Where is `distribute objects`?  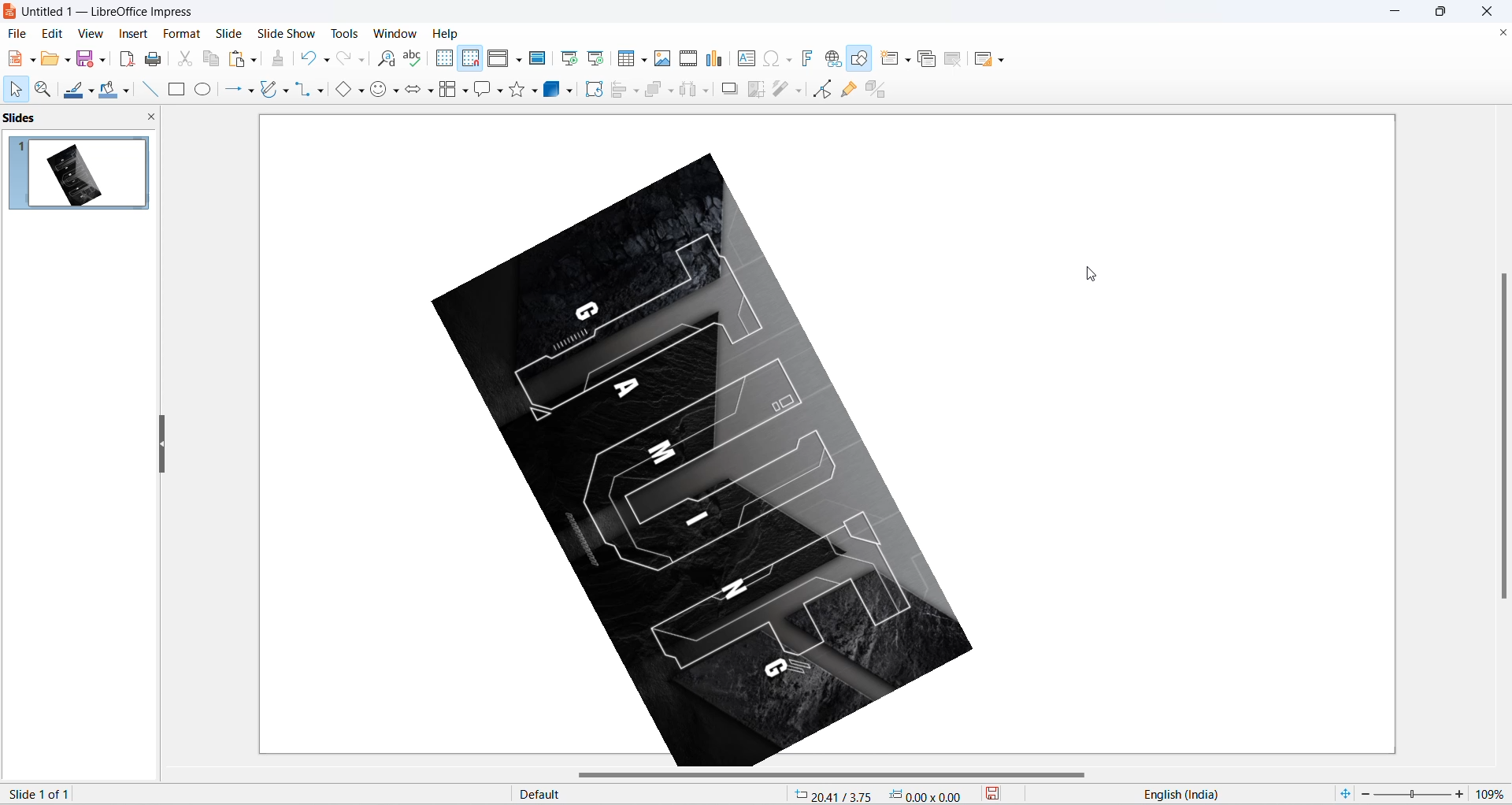
distribute objects is located at coordinates (689, 91).